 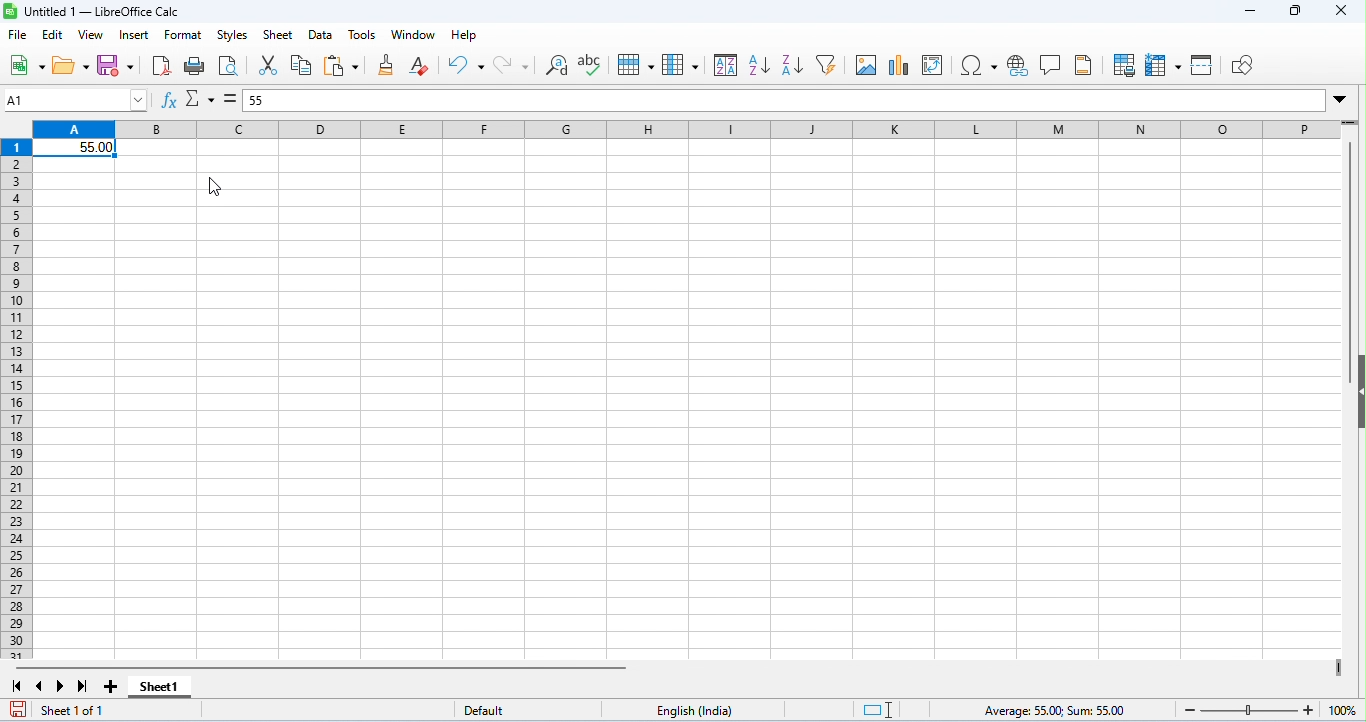 What do you see at coordinates (92, 11) in the screenshot?
I see `title` at bounding box center [92, 11].